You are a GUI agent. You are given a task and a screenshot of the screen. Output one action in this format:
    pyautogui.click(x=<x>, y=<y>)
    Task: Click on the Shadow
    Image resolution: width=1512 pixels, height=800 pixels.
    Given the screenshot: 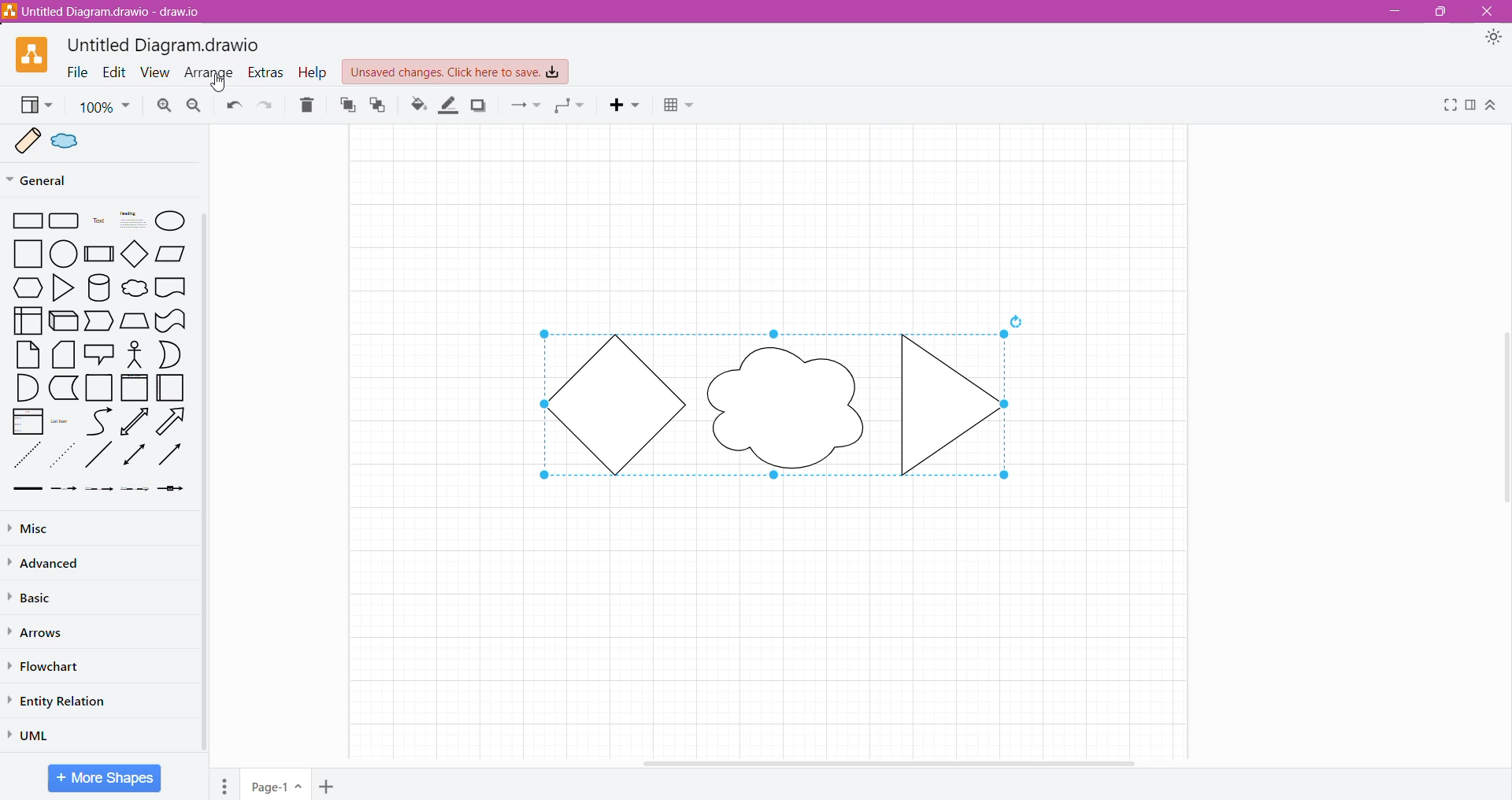 What is the action you would take?
    pyautogui.click(x=480, y=108)
    